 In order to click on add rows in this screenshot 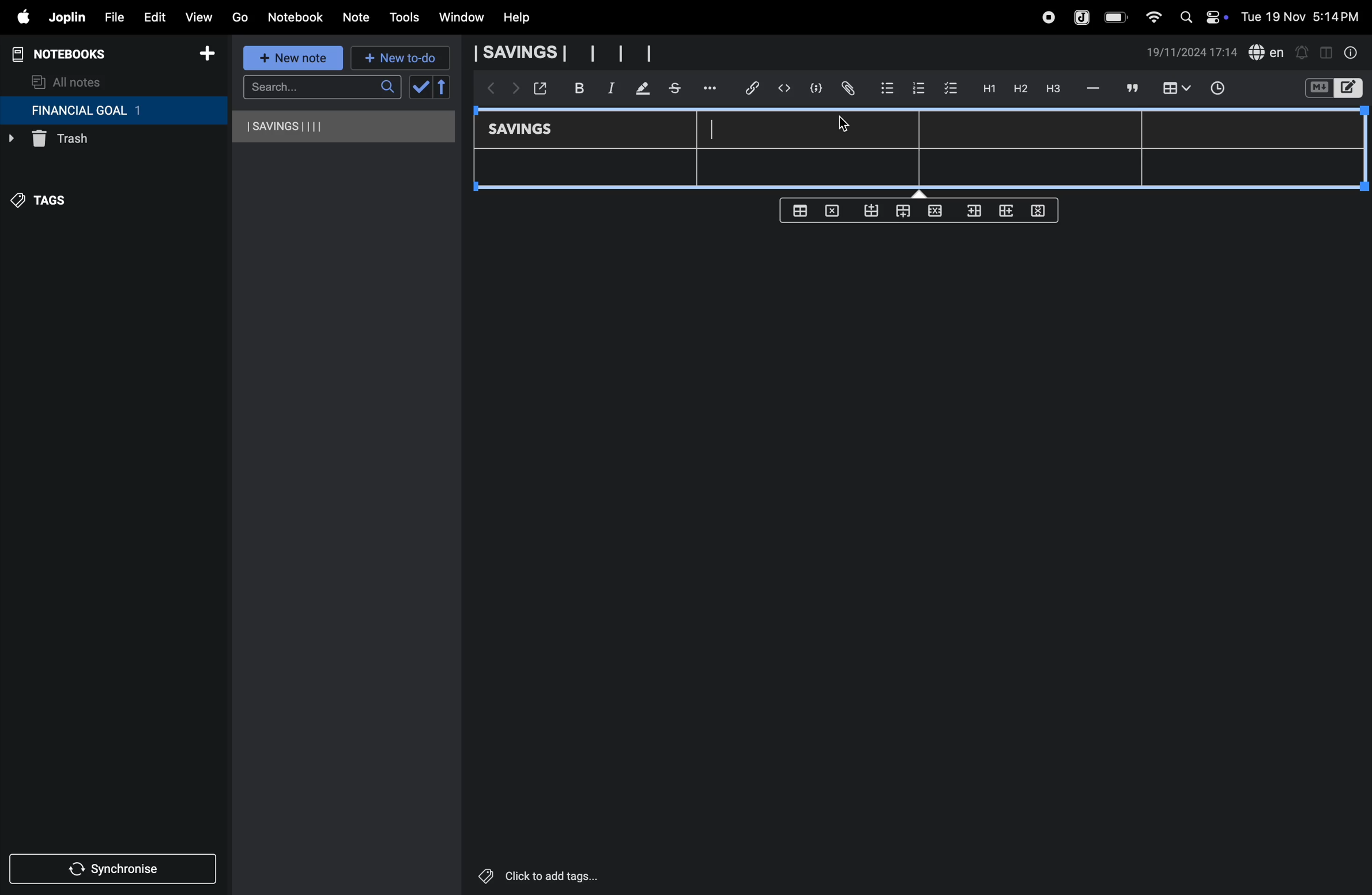, I will do `click(1004, 214)`.